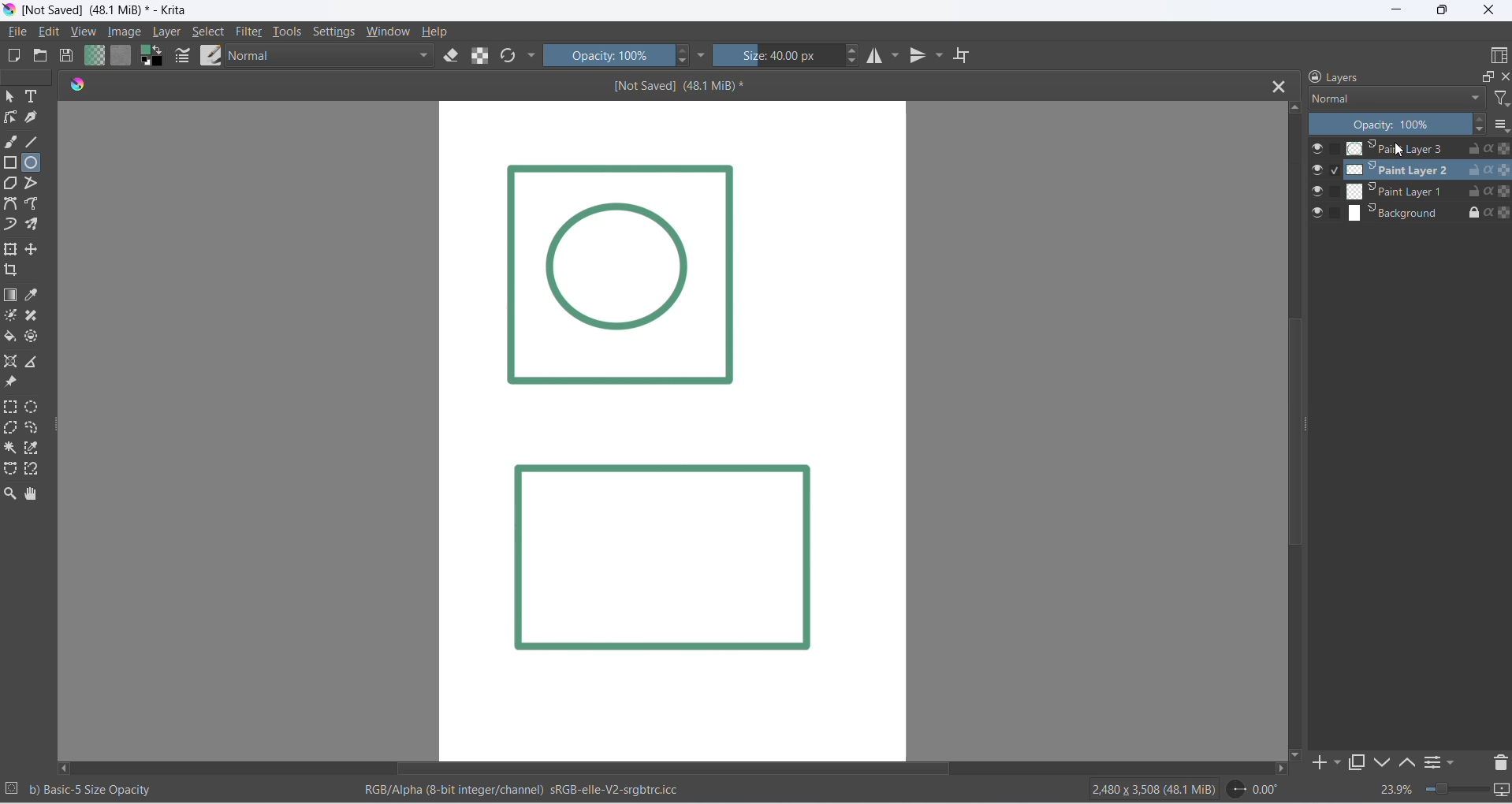 The image size is (1512, 804). Describe the element at coordinates (507, 58) in the screenshot. I see `refresh` at that location.